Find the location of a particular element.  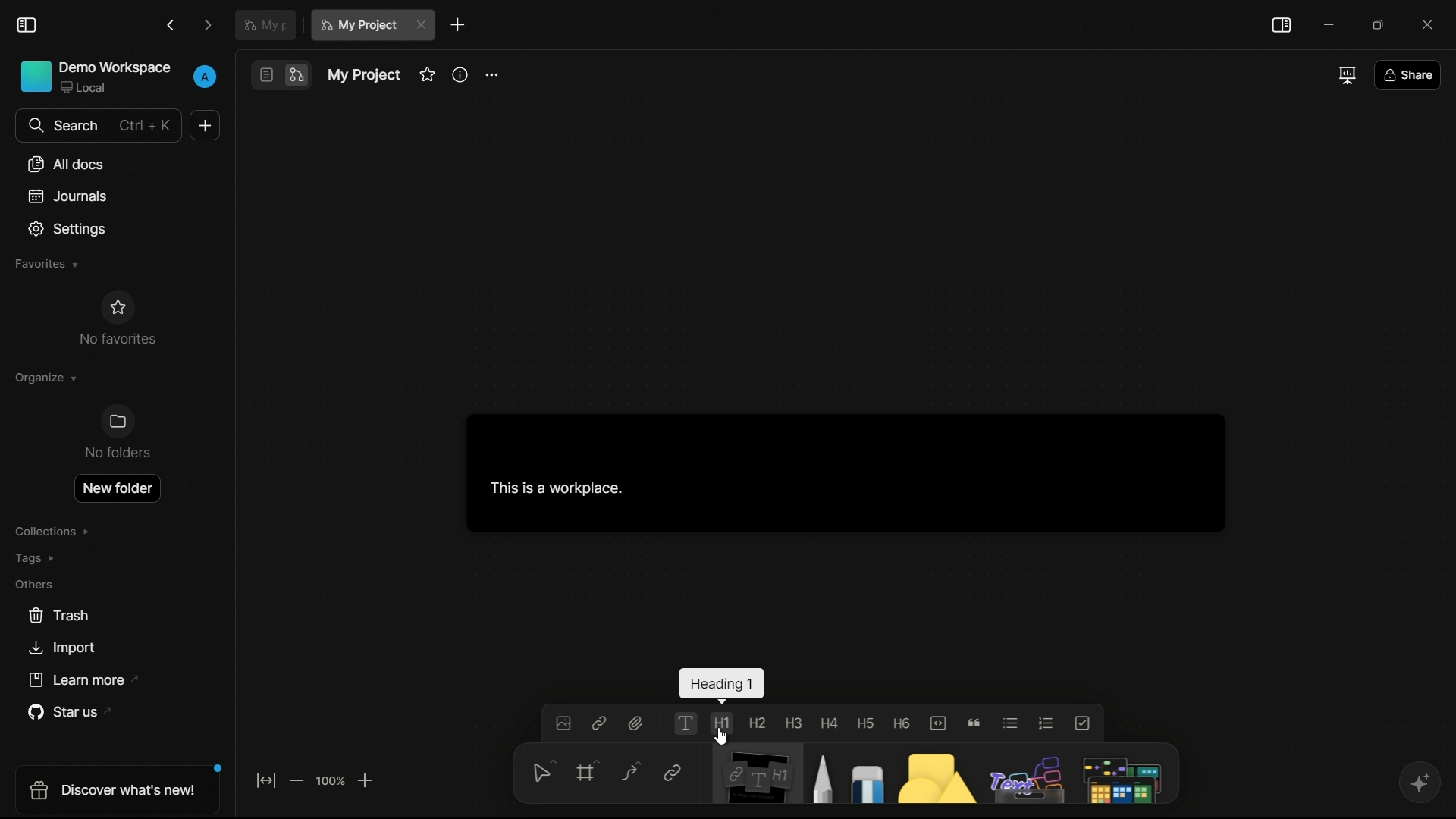

others is located at coordinates (35, 585).